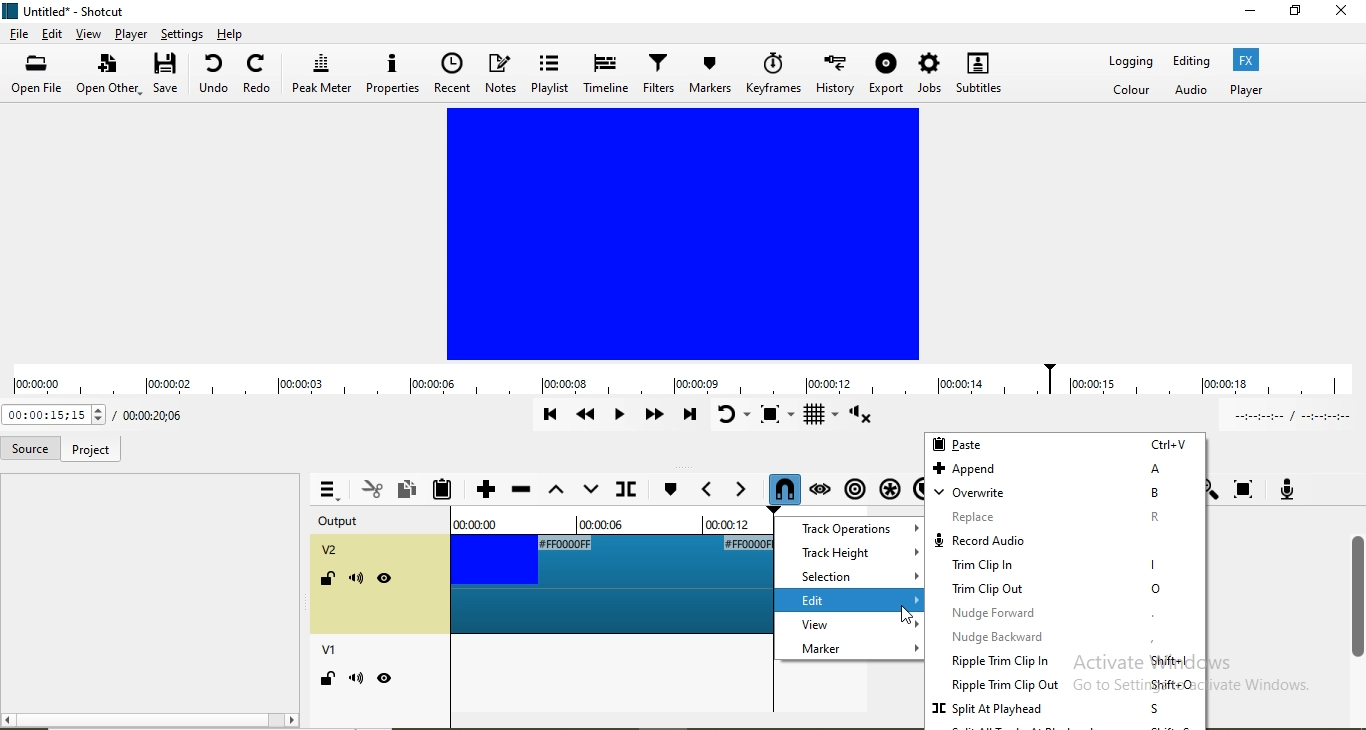 The image size is (1366, 730). What do you see at coordinates (710, 74) in the screenshot?
I see `markers` at bounding box center [710, 74].